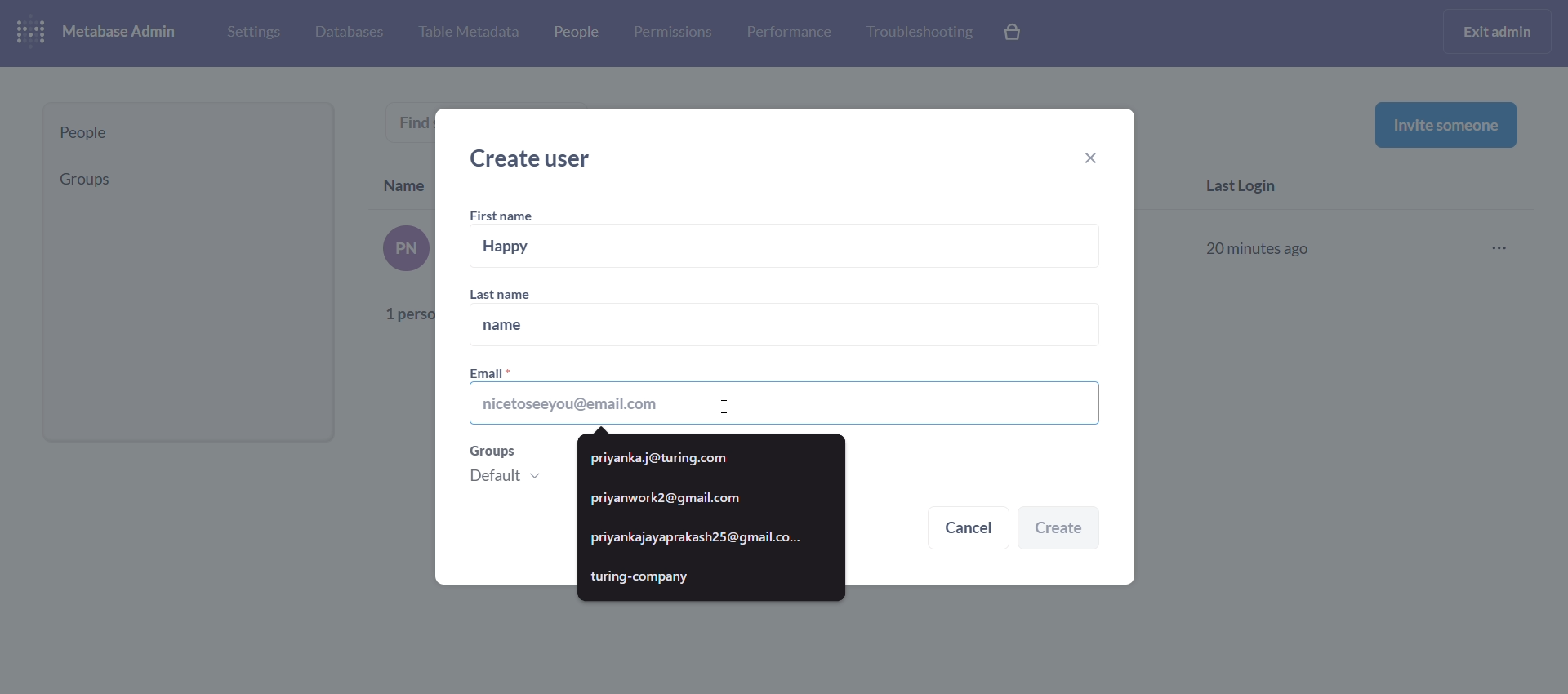  I want to click on create user, so click(537, 158).